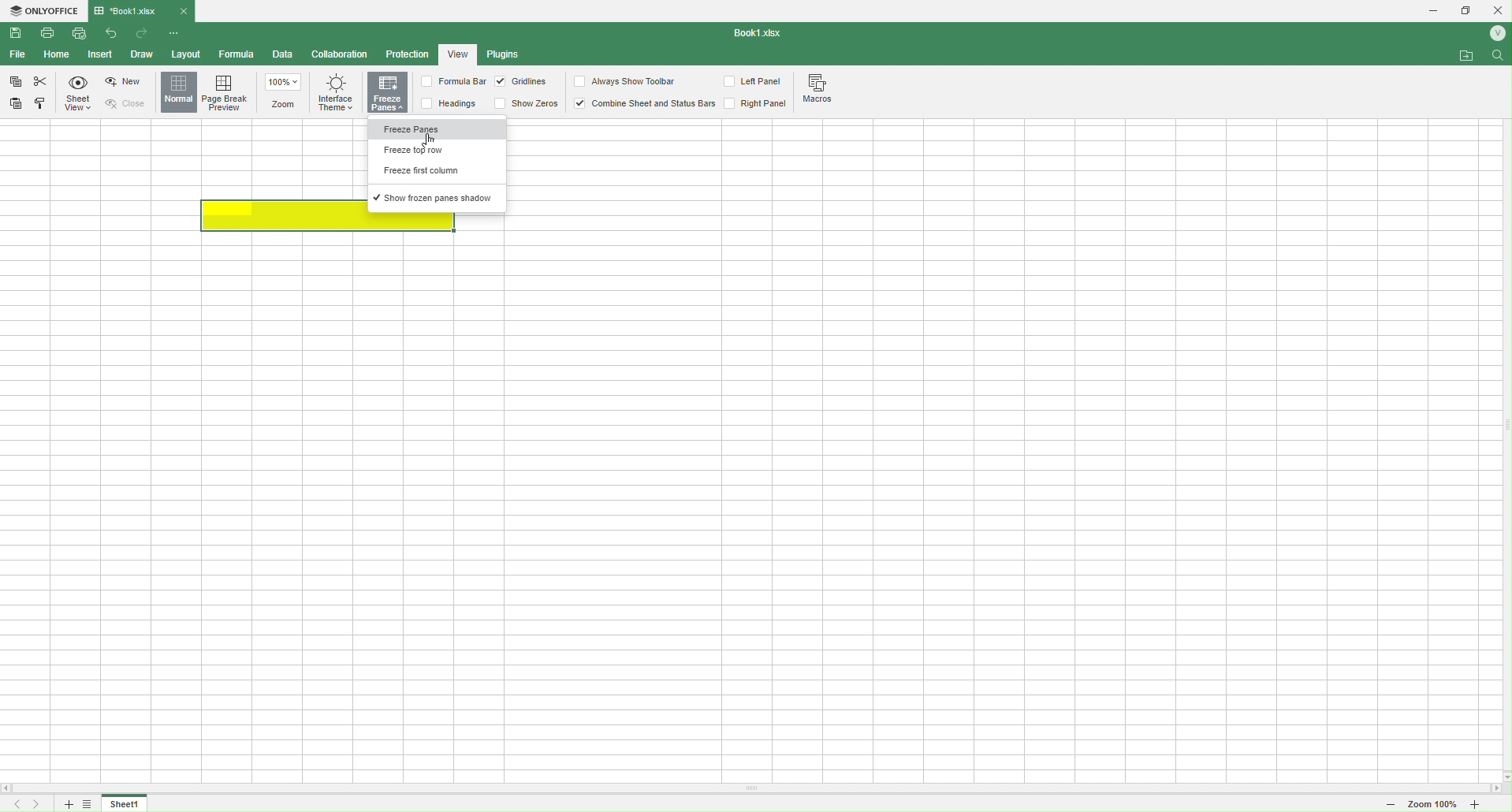 The image size is (1512, 812). Describe the element at coordinates (1498, 9) in the screenshot. I see `Close` at that location.